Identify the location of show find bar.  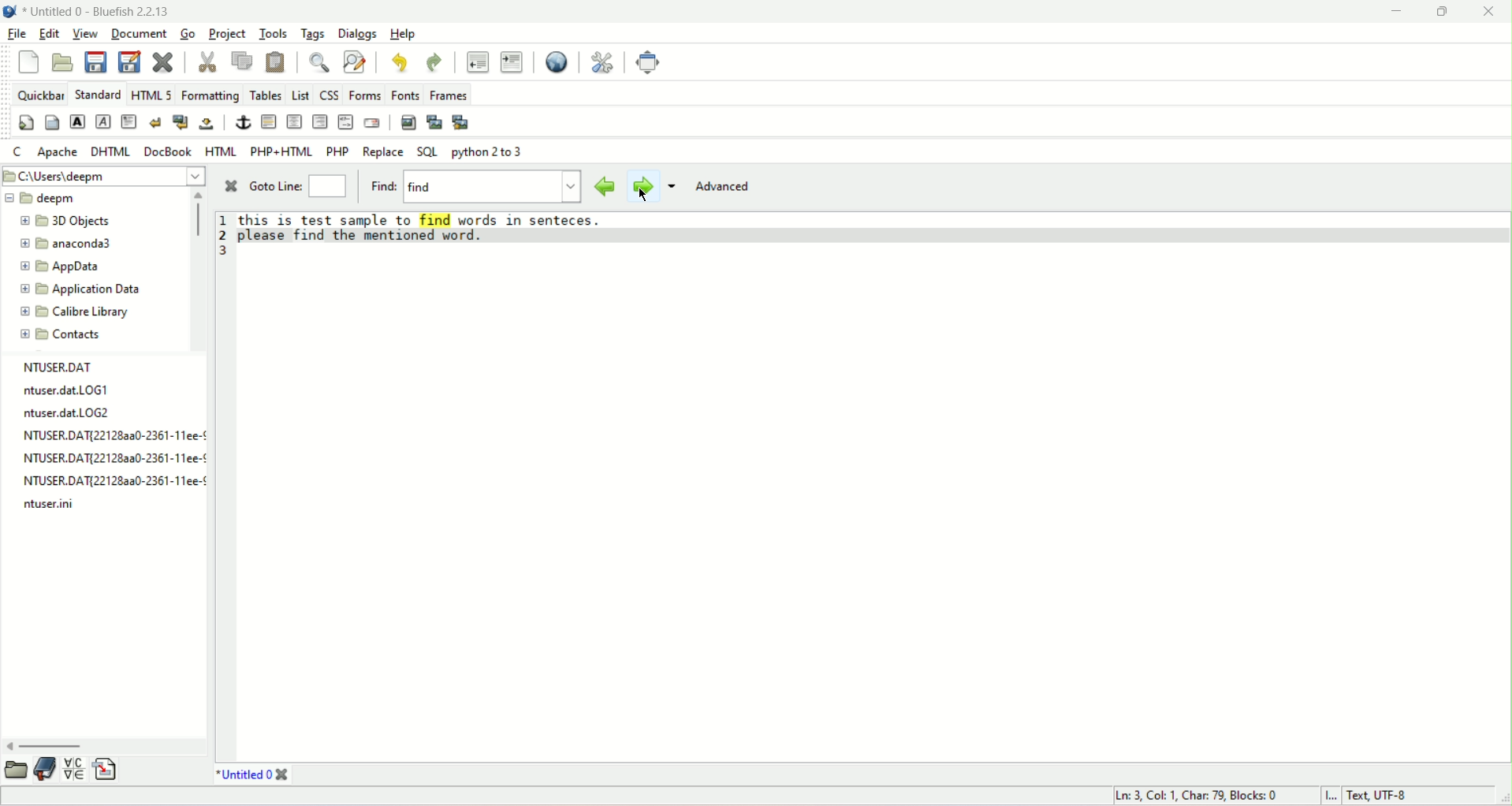
(318, 62).